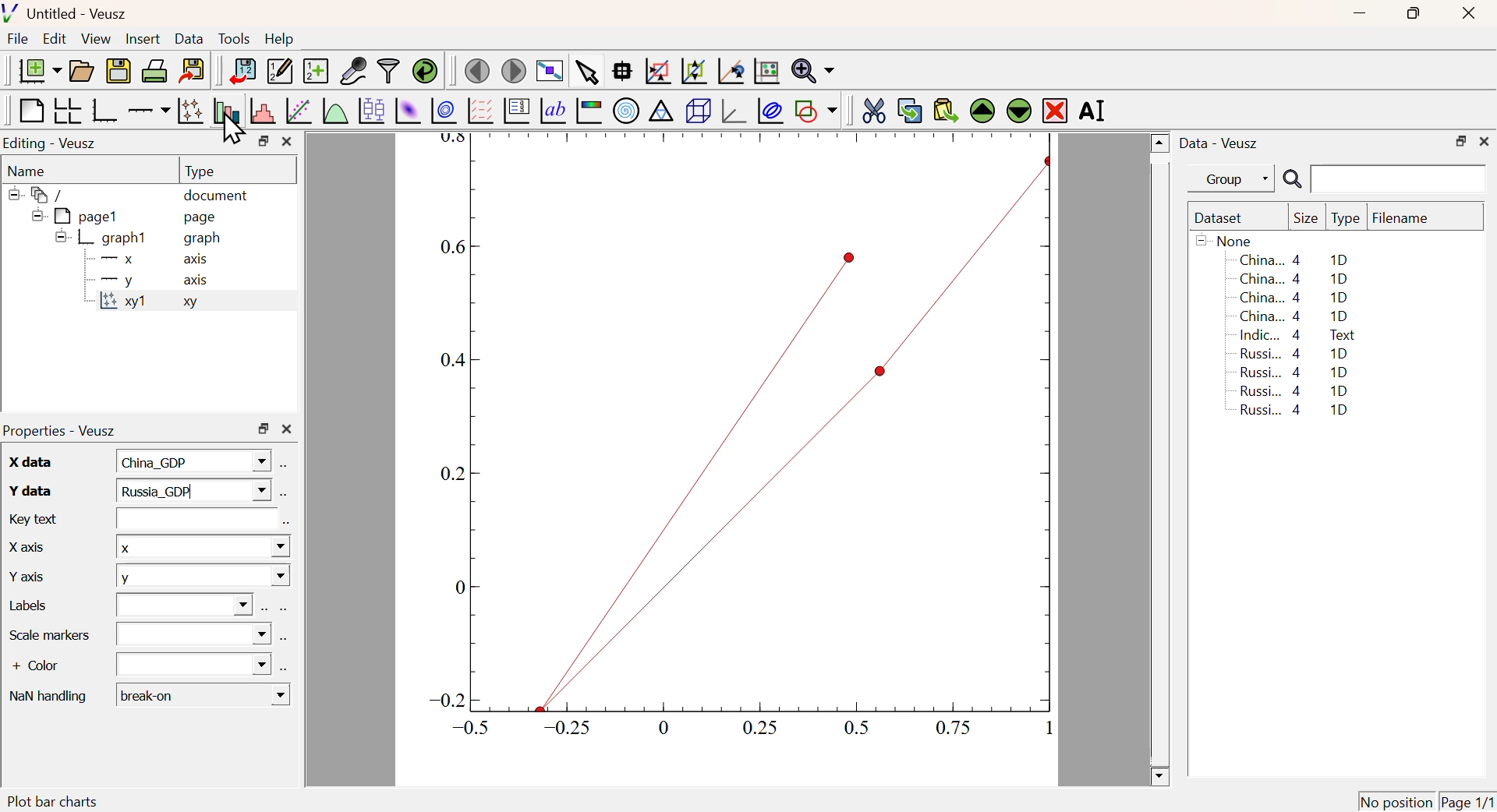 The image size is (1497, 812). I want to click on Nan handling, so click(48, 694).